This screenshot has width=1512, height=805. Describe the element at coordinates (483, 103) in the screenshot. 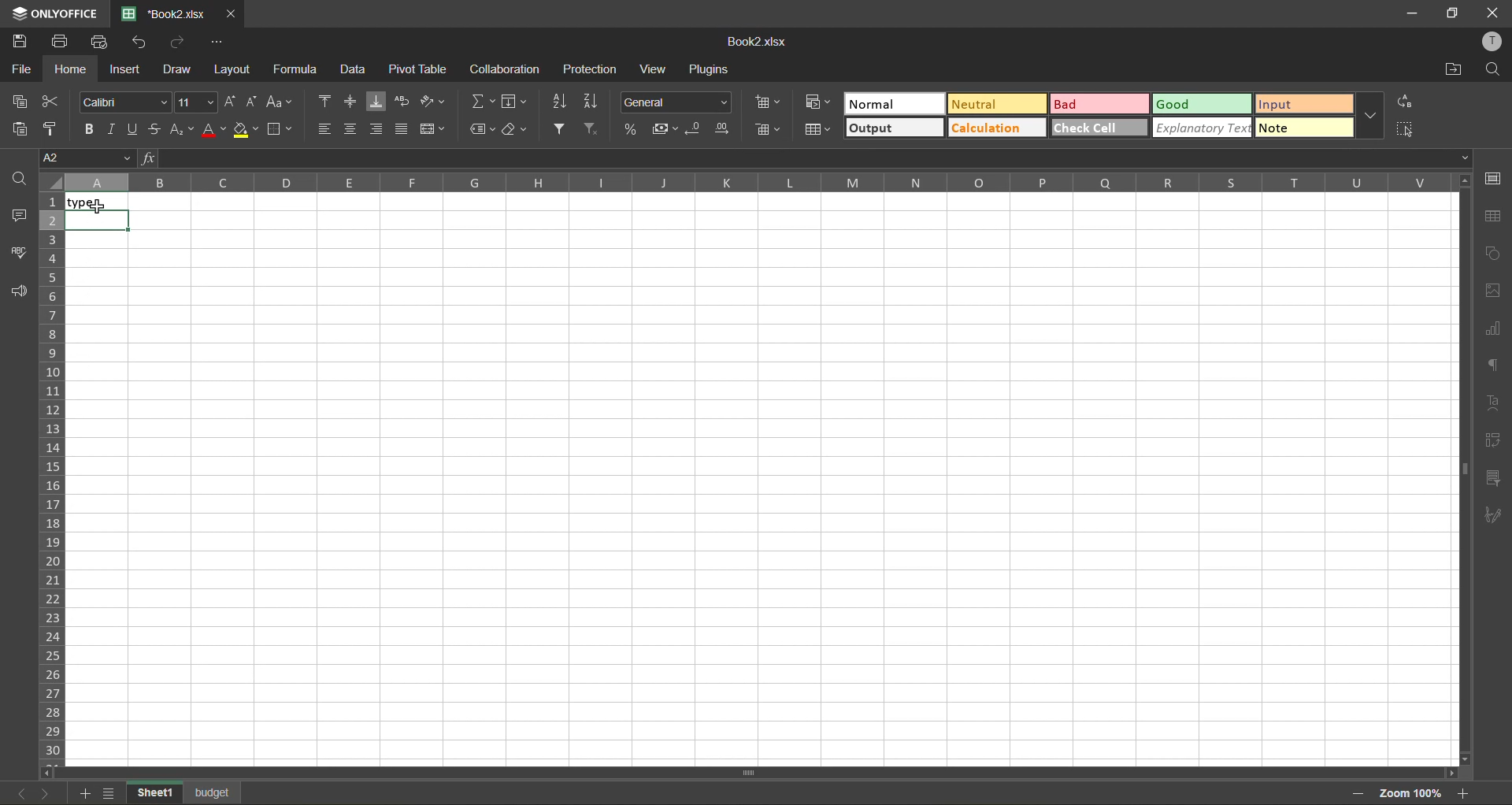

I see `summation` at that location.